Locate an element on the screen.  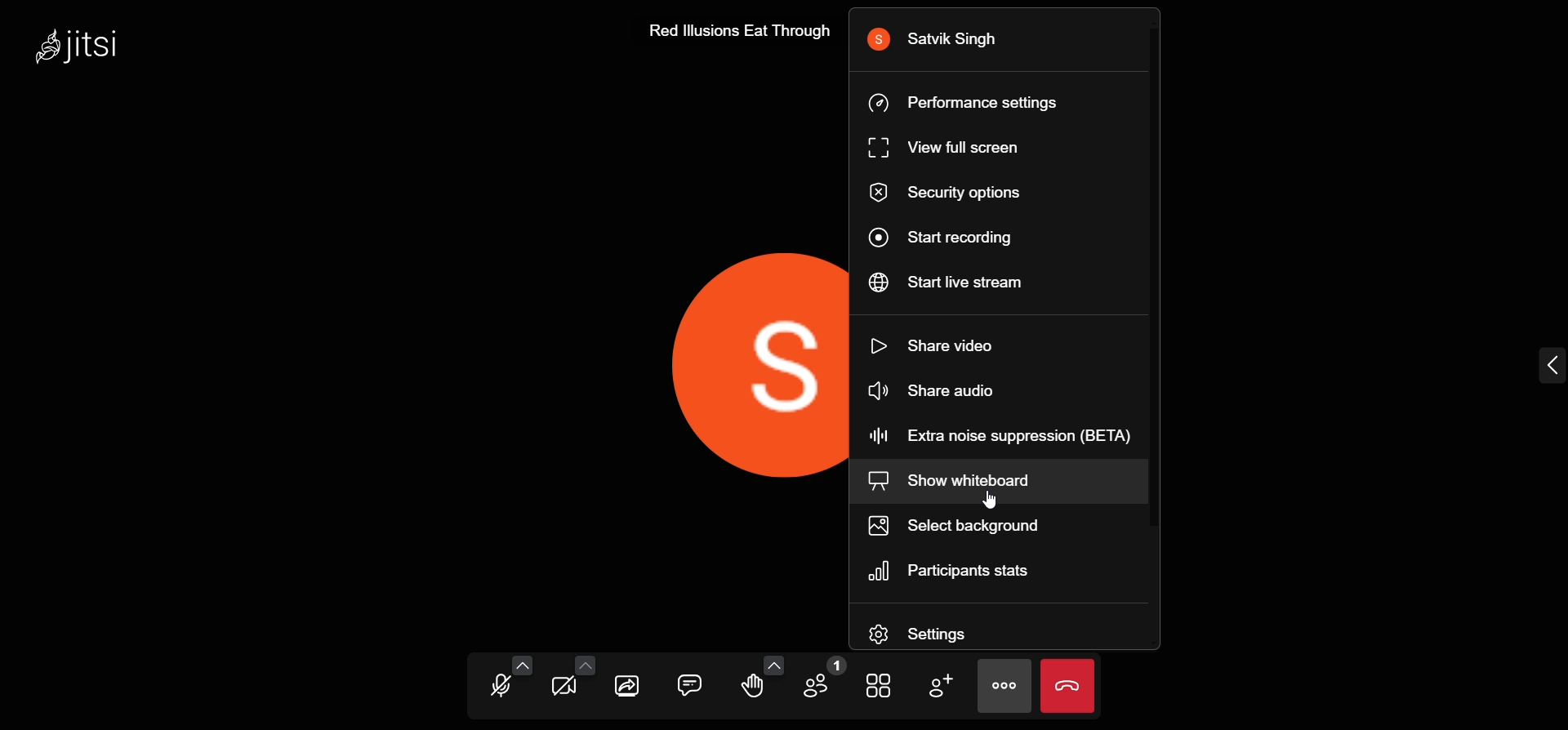
extra noise supression (BETA) is located at coordinates (1011, 434).